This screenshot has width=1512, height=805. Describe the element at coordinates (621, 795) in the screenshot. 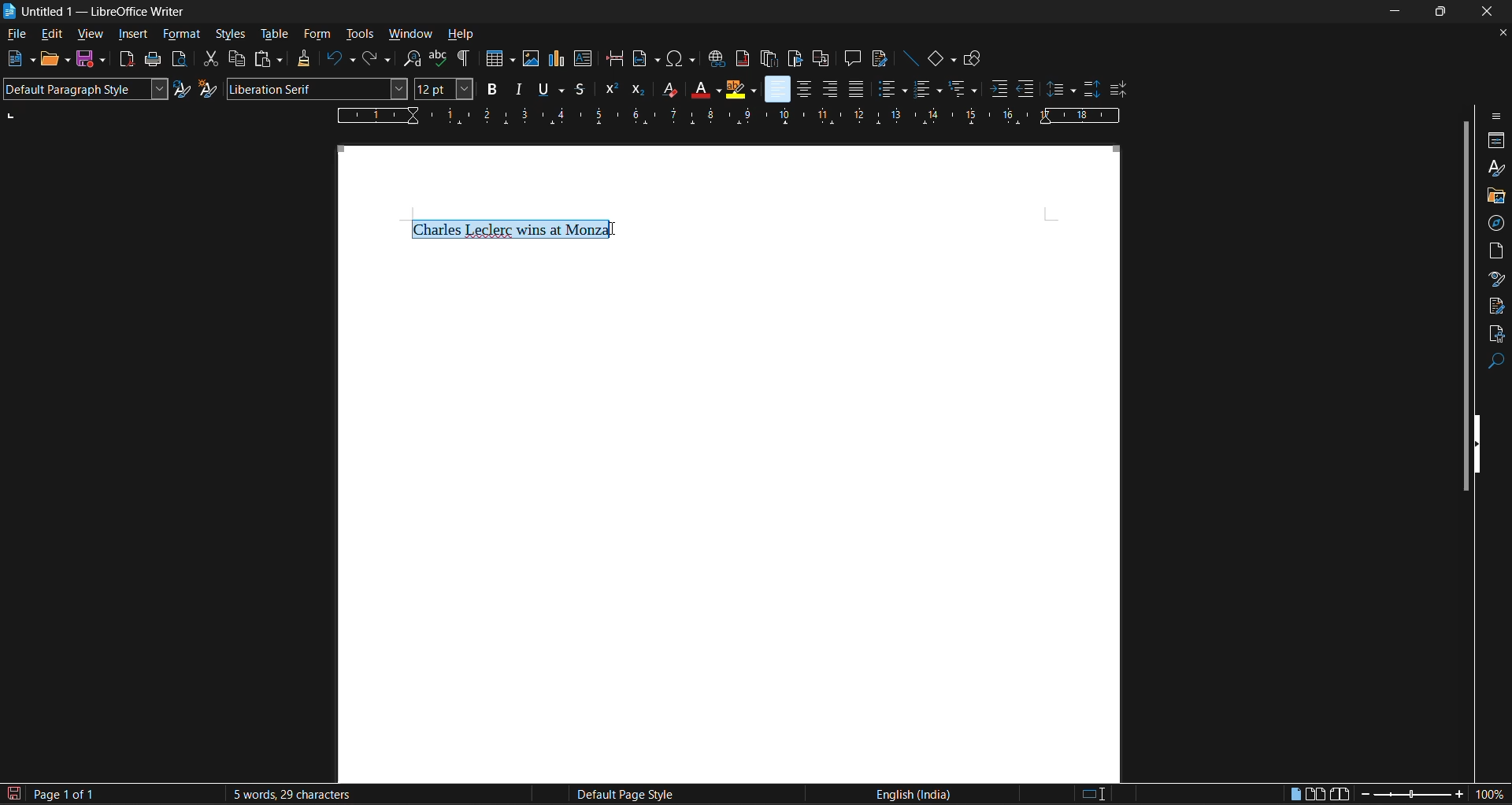

I see `page style` at that location.